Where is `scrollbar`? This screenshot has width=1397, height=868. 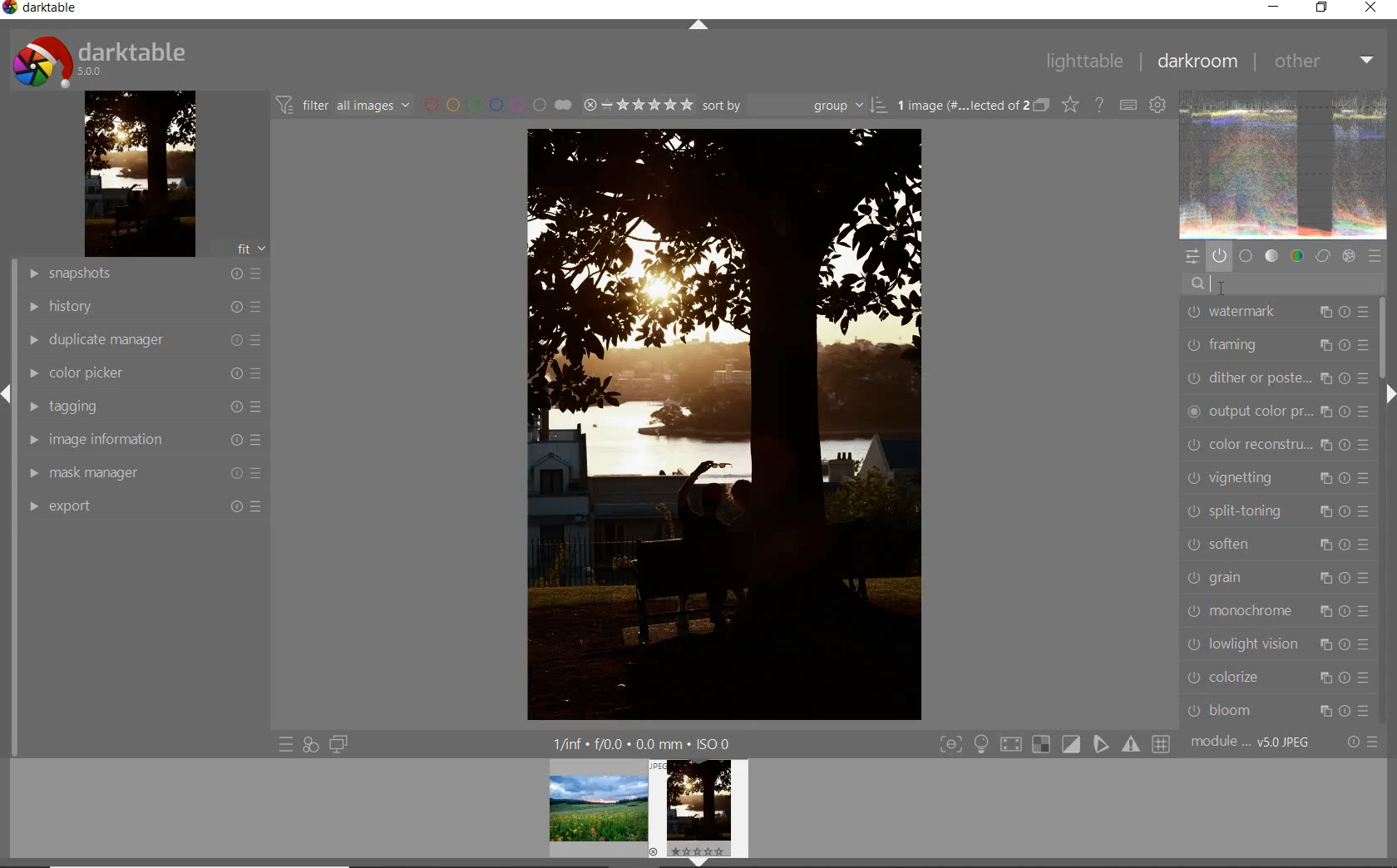
scrollbar is located at coordinates (1382, 338).